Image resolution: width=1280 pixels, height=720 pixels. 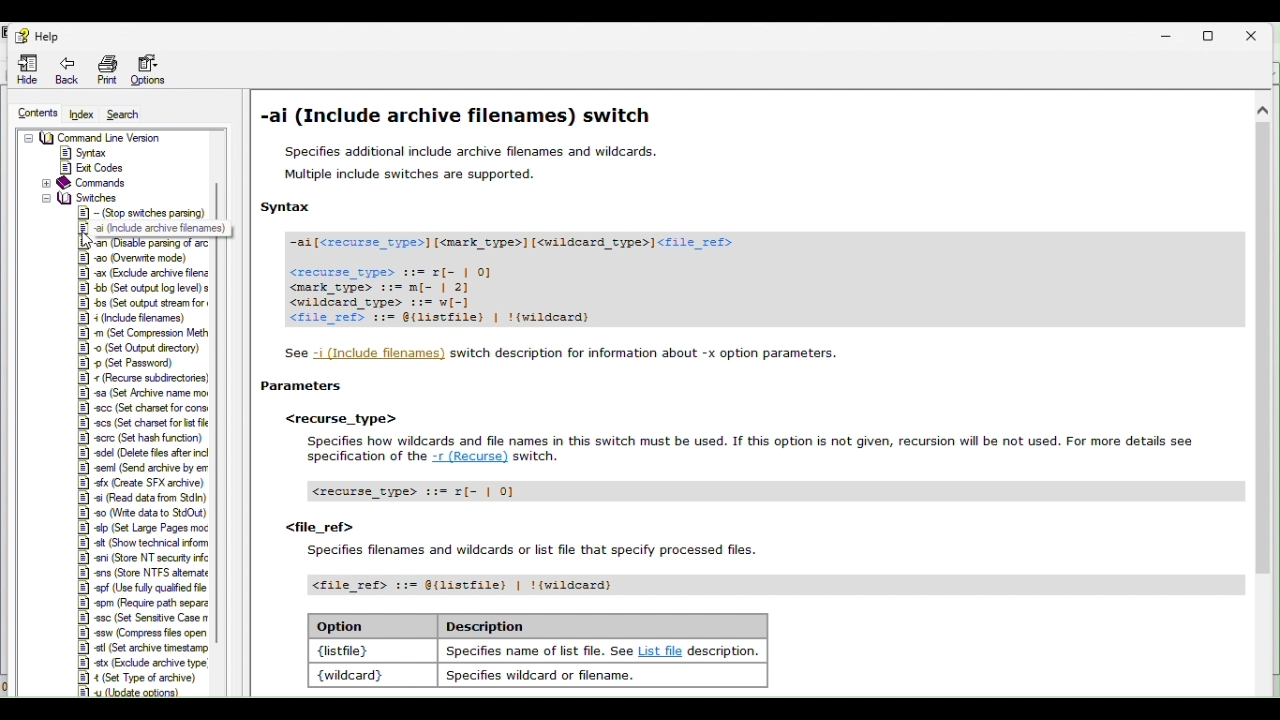 What do you see at coordinates (746, 392) in the screenshot?
I see `Archive File names` at bounding box center [746, 392].